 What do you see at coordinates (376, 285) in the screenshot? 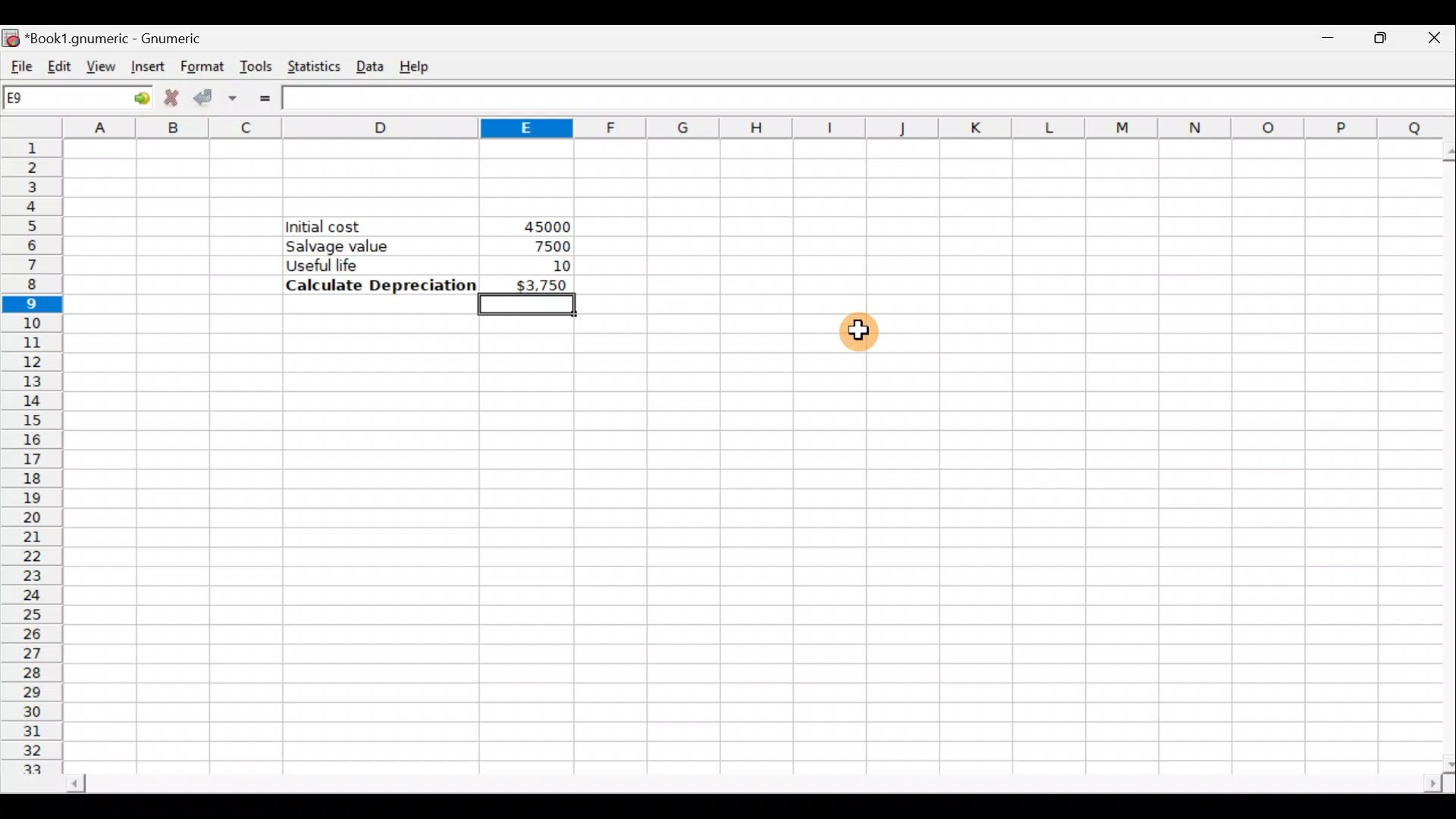
I see `Calculate Depreciation` at bounding box center [376, 285].